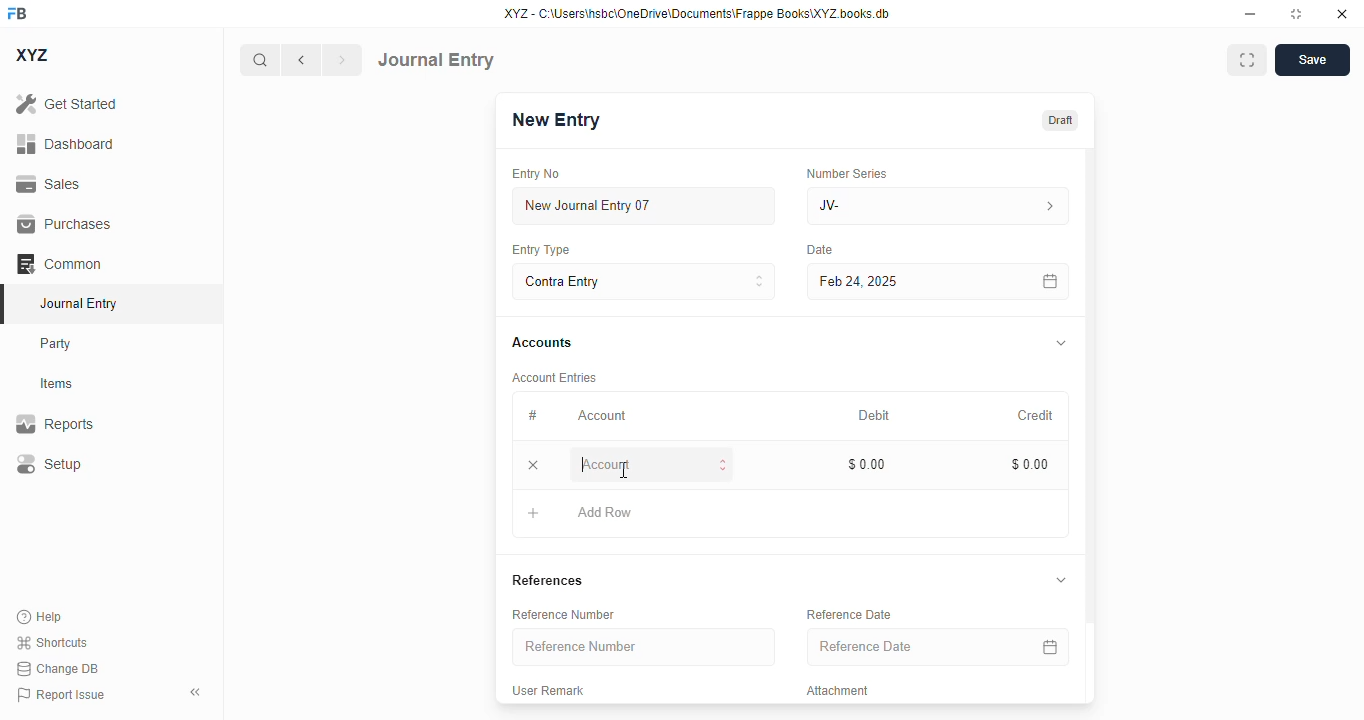 The image size is (1364, 720). What do you see at coordinates (556, 377) in the screenshot?
I see `account entries` at bounding box center [556, 377].